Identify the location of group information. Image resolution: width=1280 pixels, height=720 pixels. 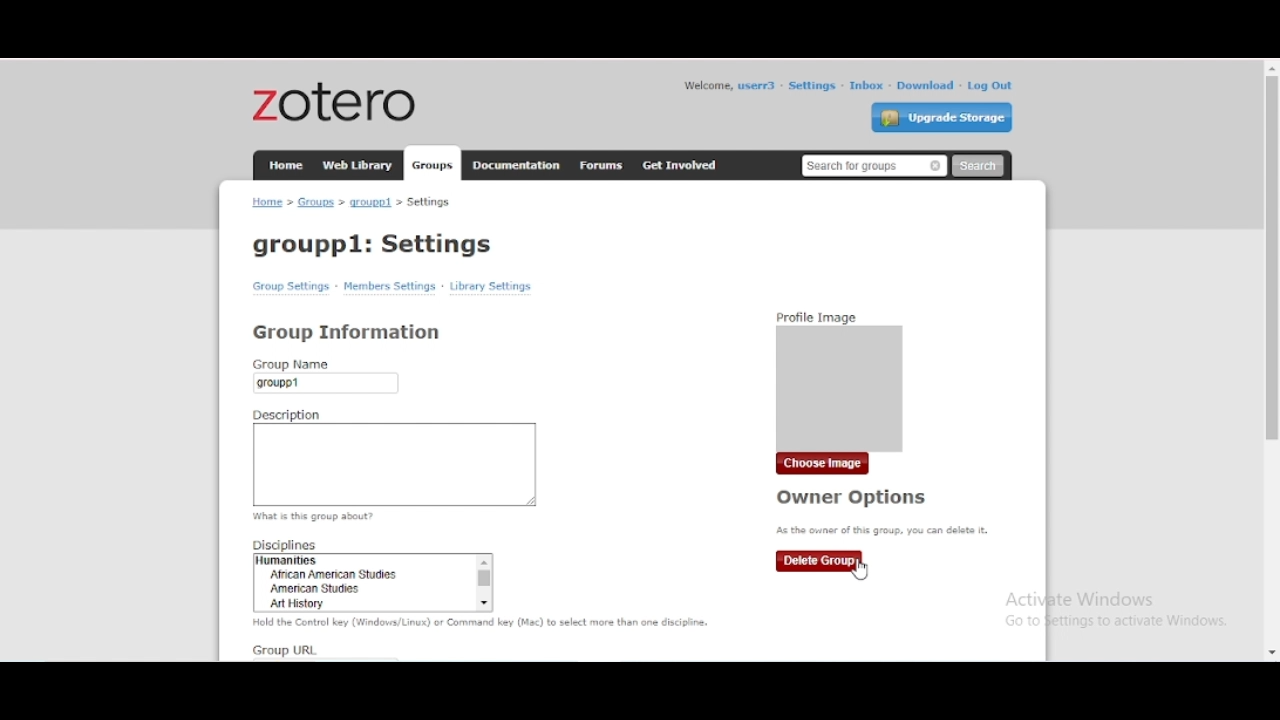
(346, 331).